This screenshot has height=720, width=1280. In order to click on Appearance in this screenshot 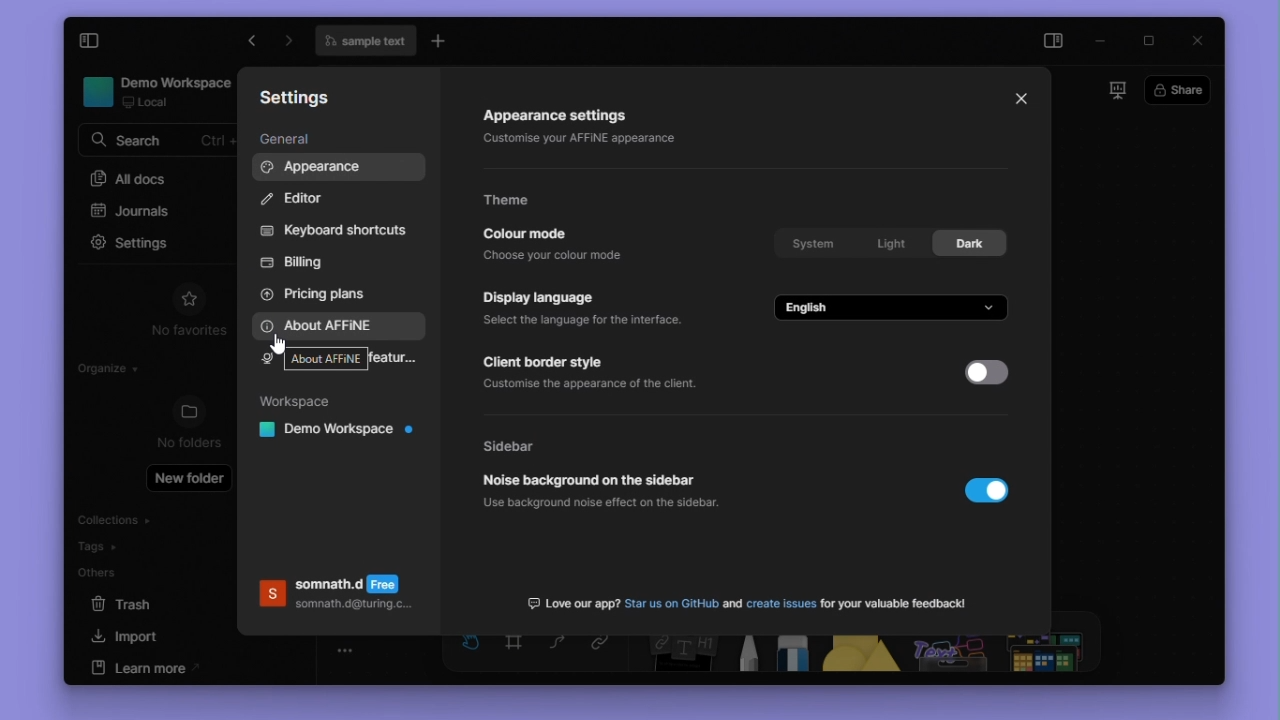, I will do `click(338, 167)`.